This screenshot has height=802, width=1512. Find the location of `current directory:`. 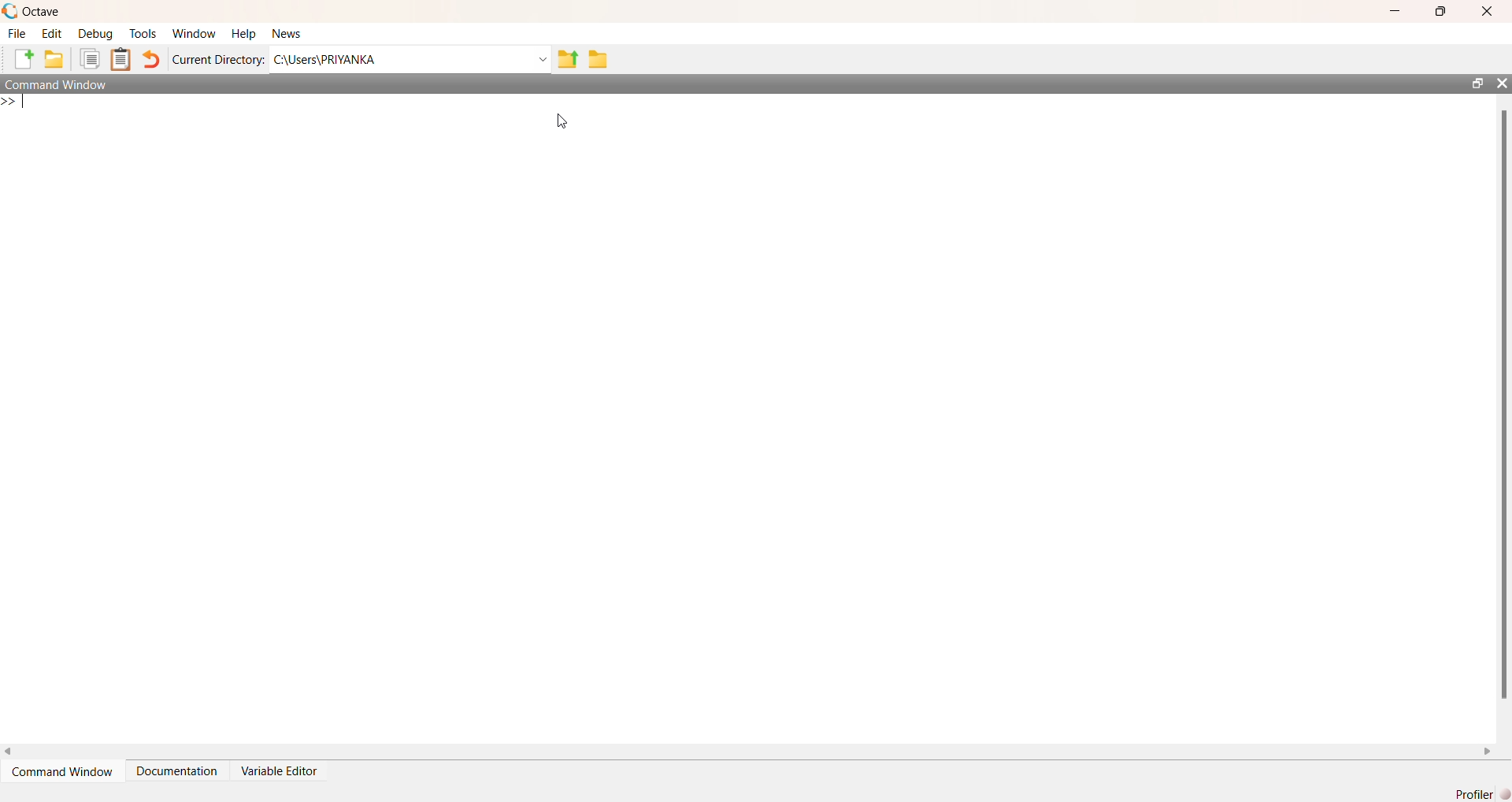

current directory: is located at coordinates (220, 60).